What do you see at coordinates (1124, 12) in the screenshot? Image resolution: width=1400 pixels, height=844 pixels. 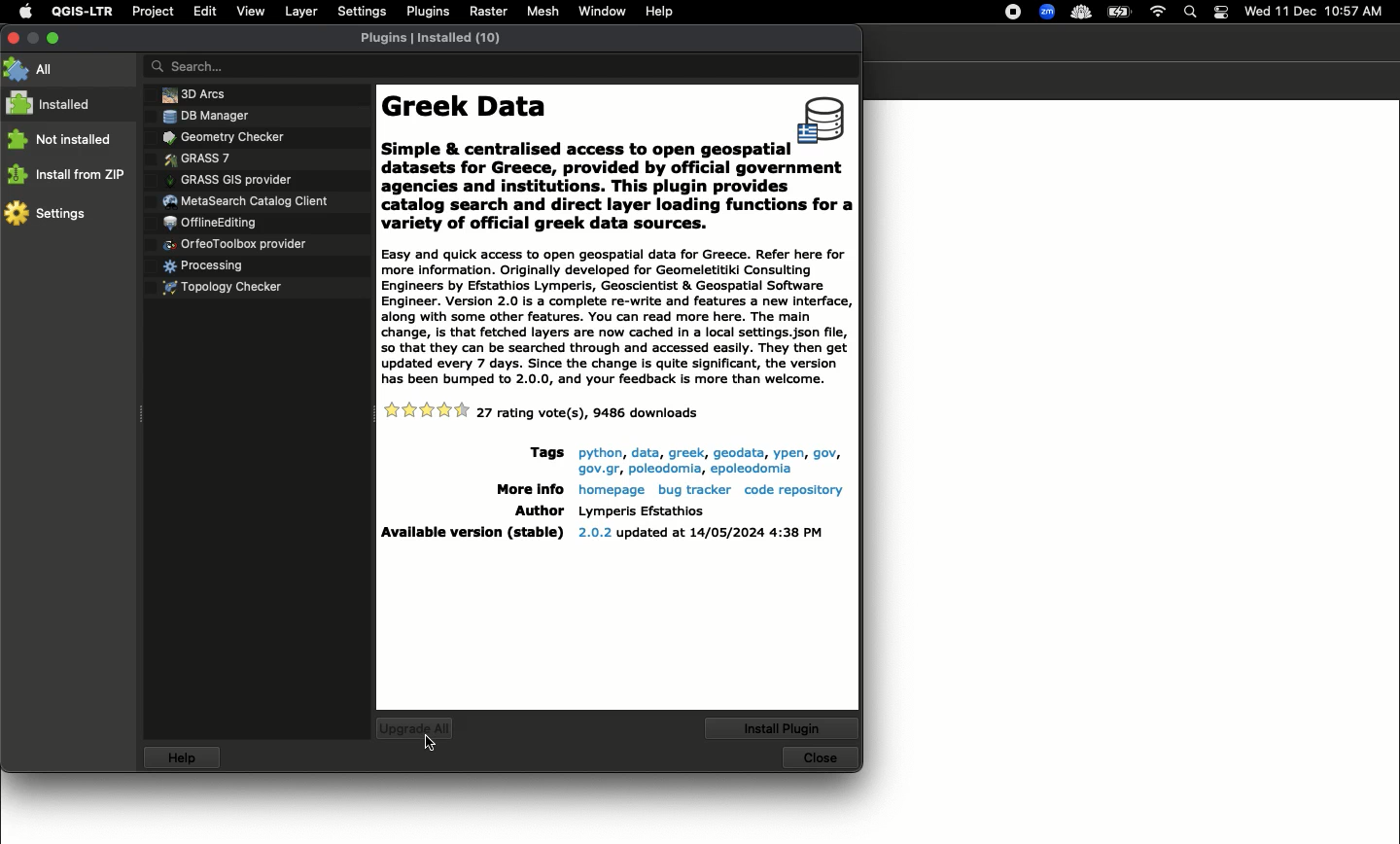 I see `Charge` at bounding box center [1124, 12].